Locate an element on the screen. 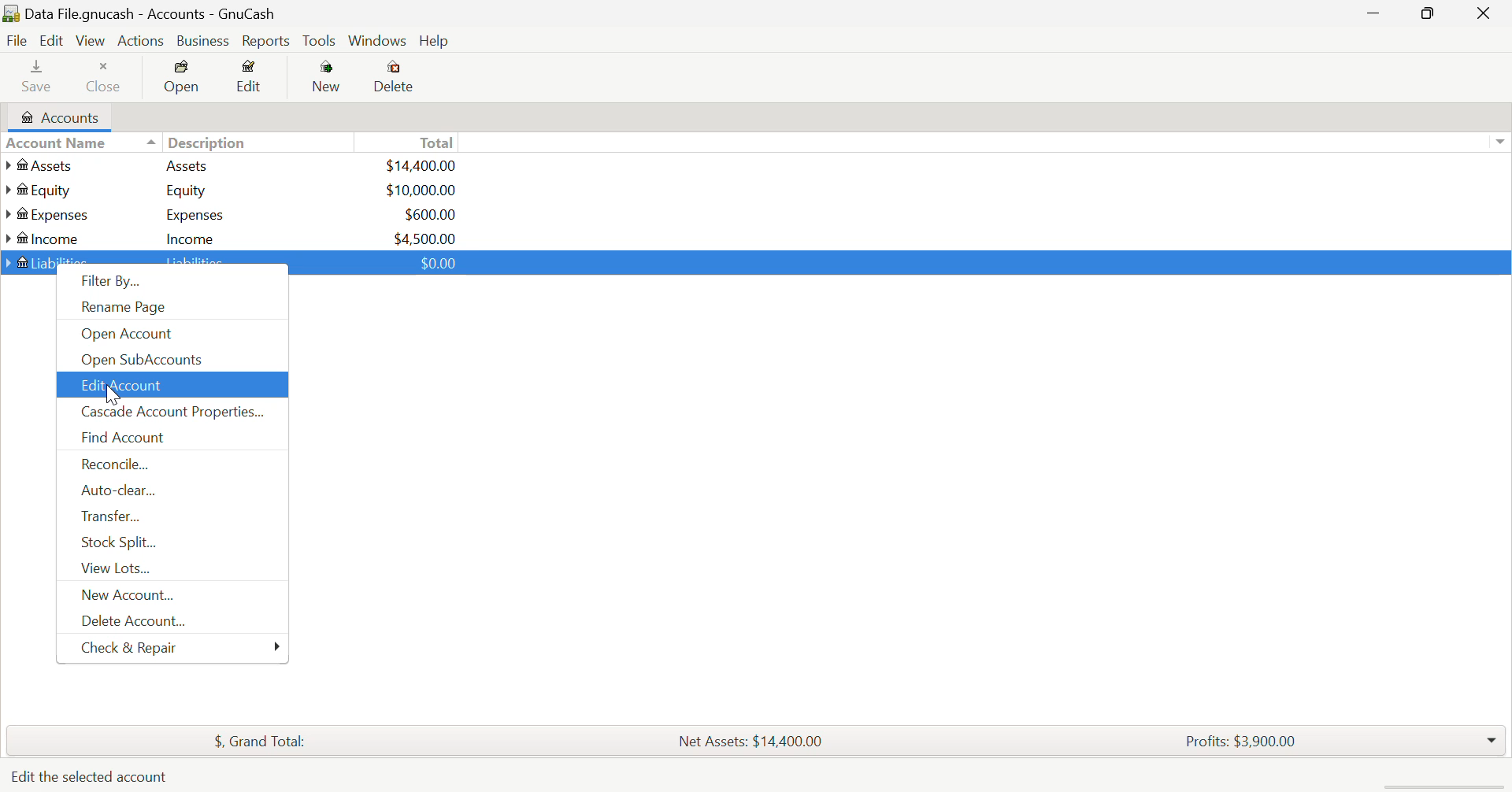  Open is located at coordinates (183, 80).